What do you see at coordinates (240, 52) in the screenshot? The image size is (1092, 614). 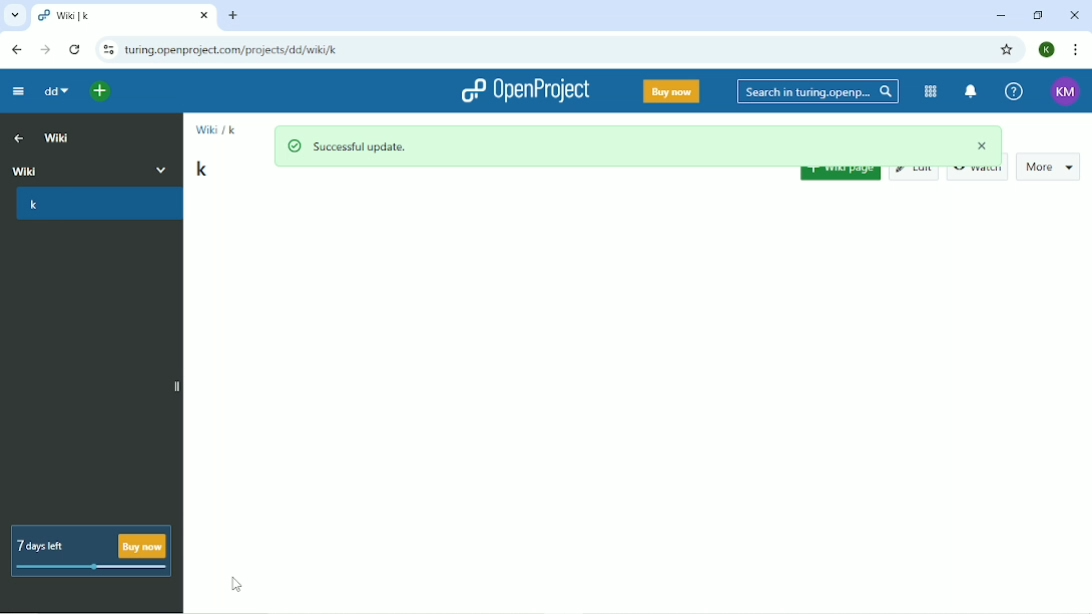 I see `turing.openproject.com/projects/dd/wiki/k` at bounding box center [240, 52].